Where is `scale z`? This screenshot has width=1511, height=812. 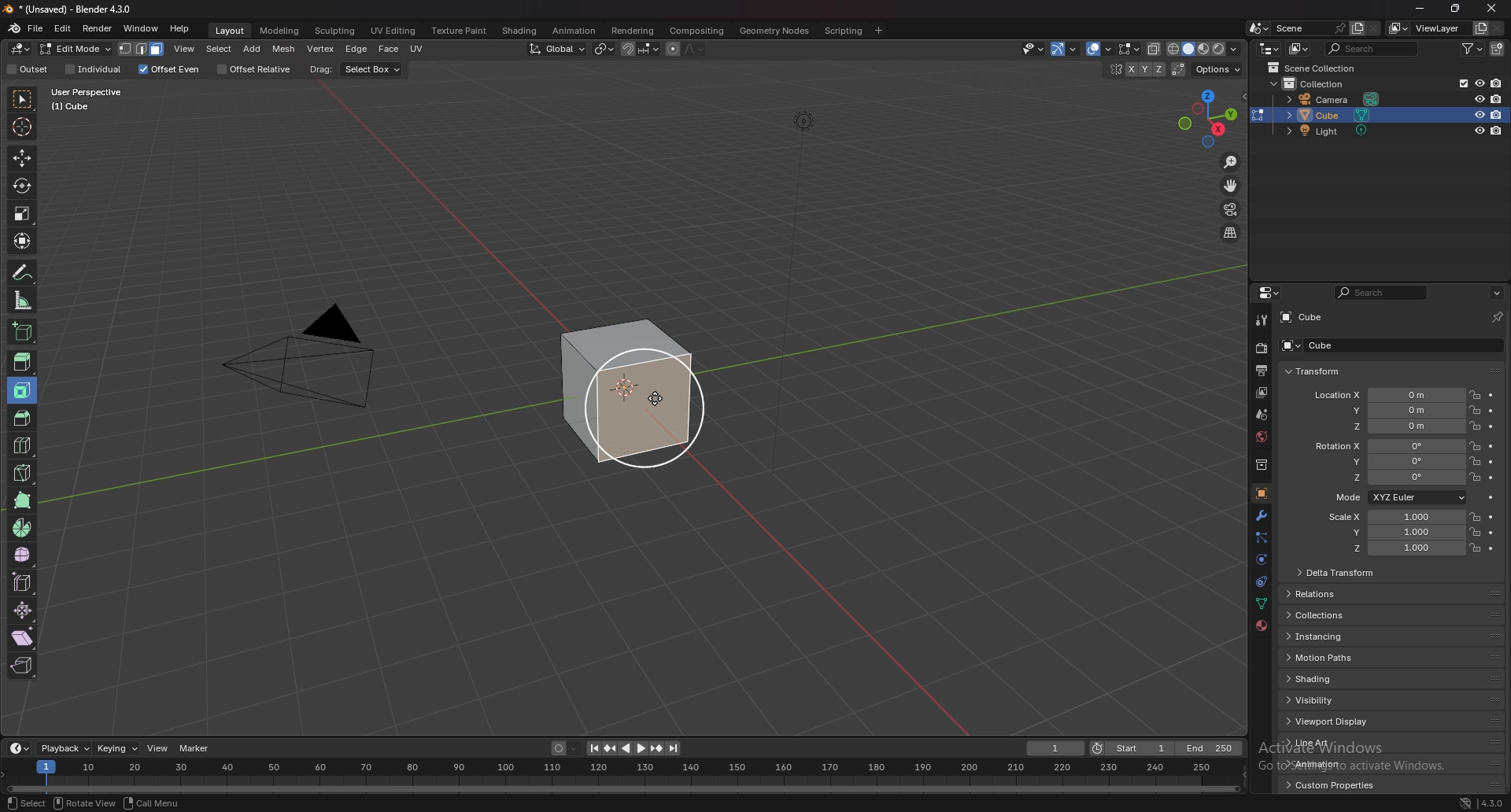
scale z is located at coordinates (1395, 548).